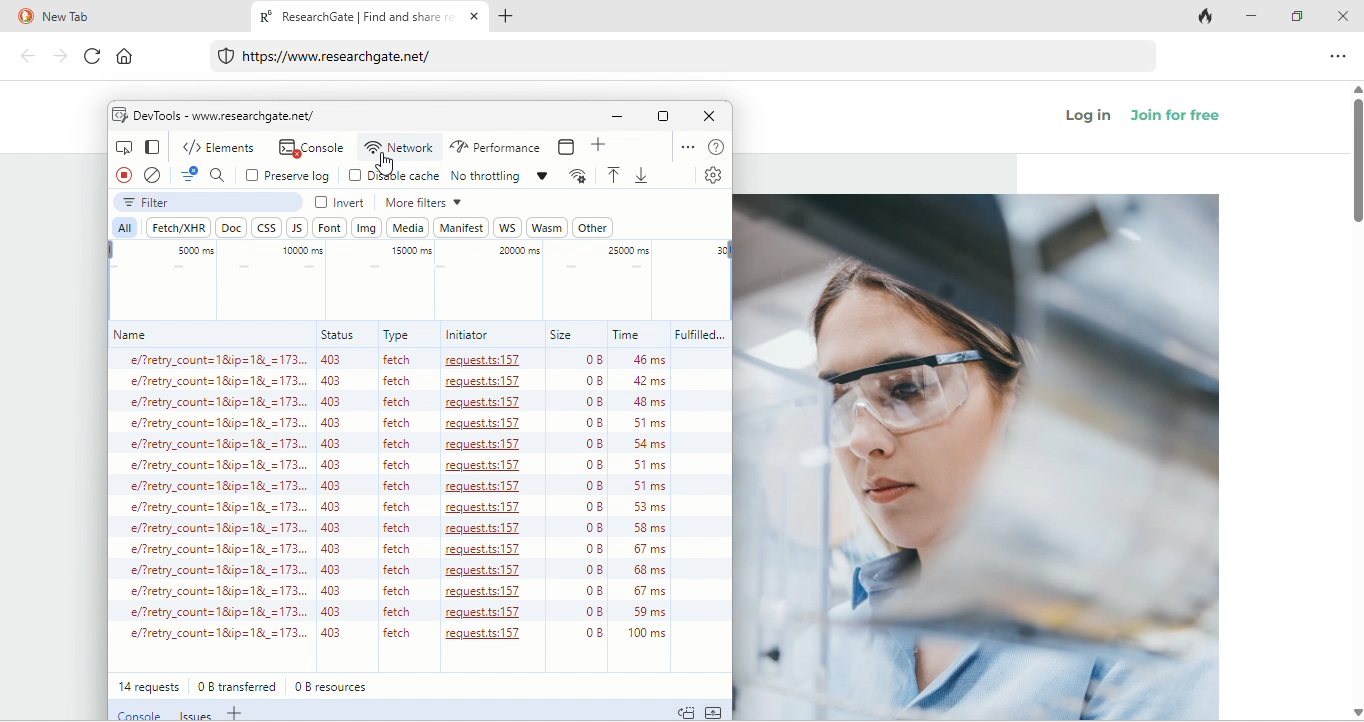  What do you see at coordinates (225, 115) in the screenshot?
I see `DevTools - www.researchgate.net/` at bounding box center [225, 115].